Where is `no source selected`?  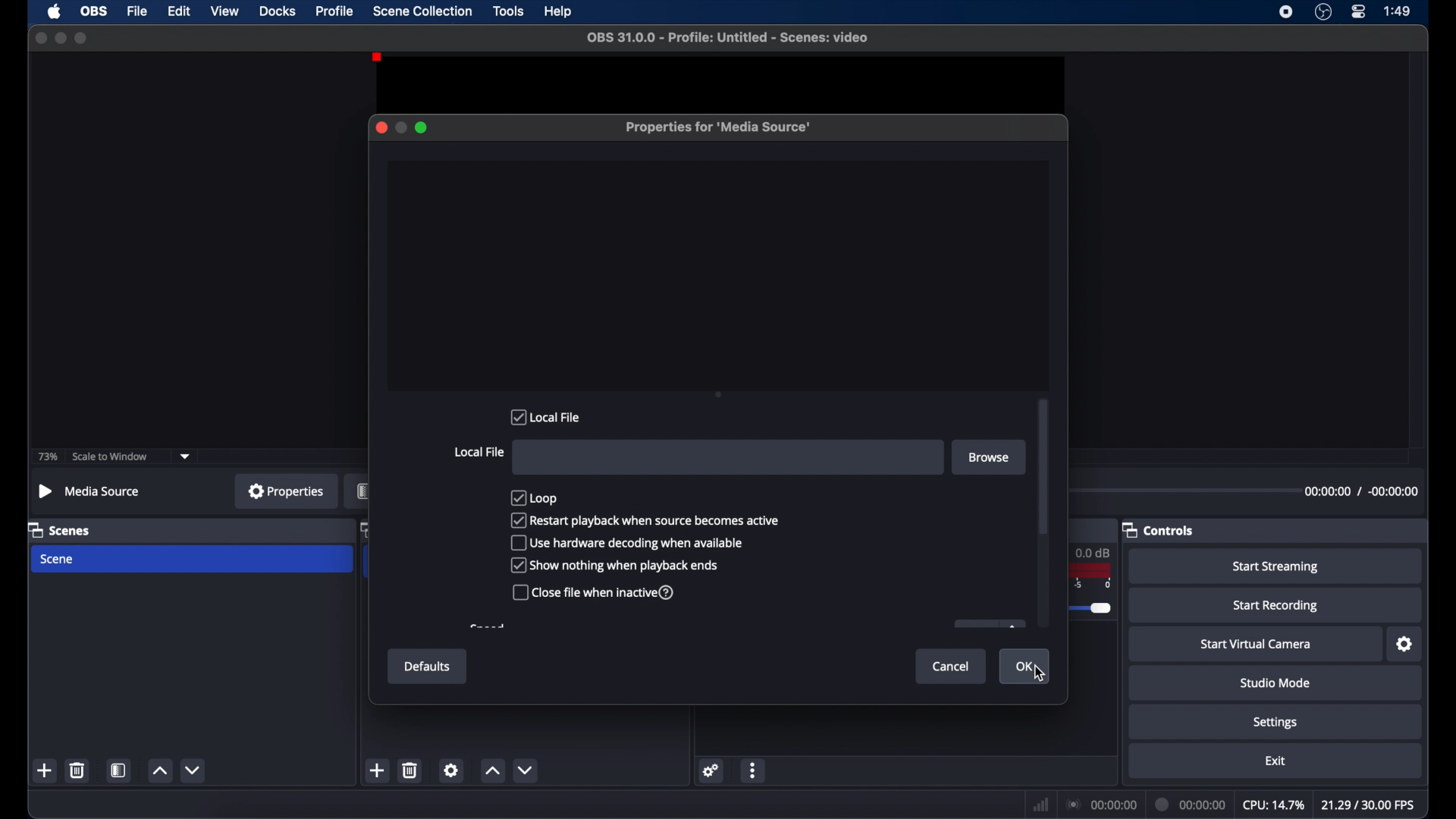 no source selected is located at coordinates (90, 492).